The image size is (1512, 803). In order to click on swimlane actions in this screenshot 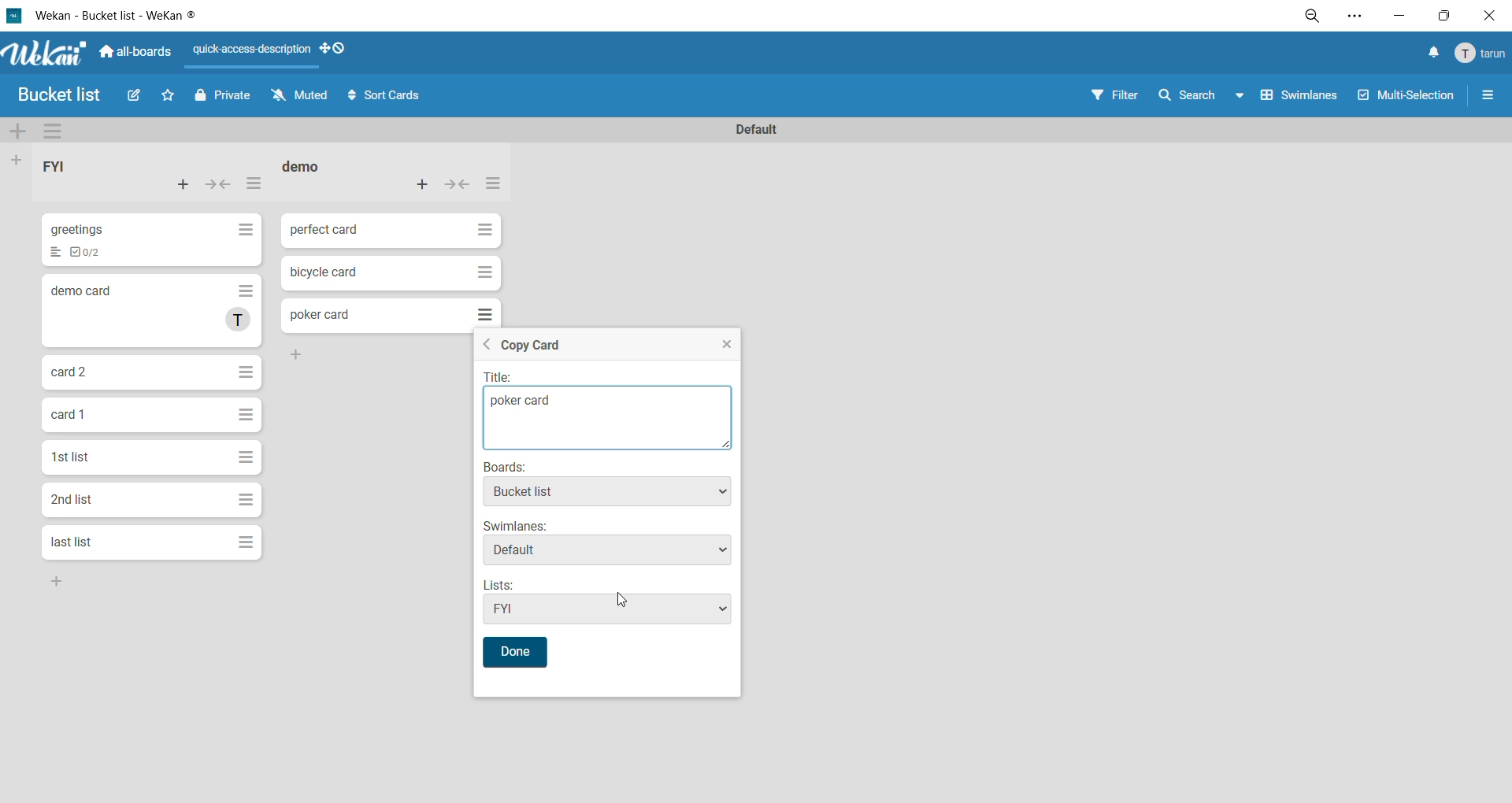, I will do `click(60, 132)`.